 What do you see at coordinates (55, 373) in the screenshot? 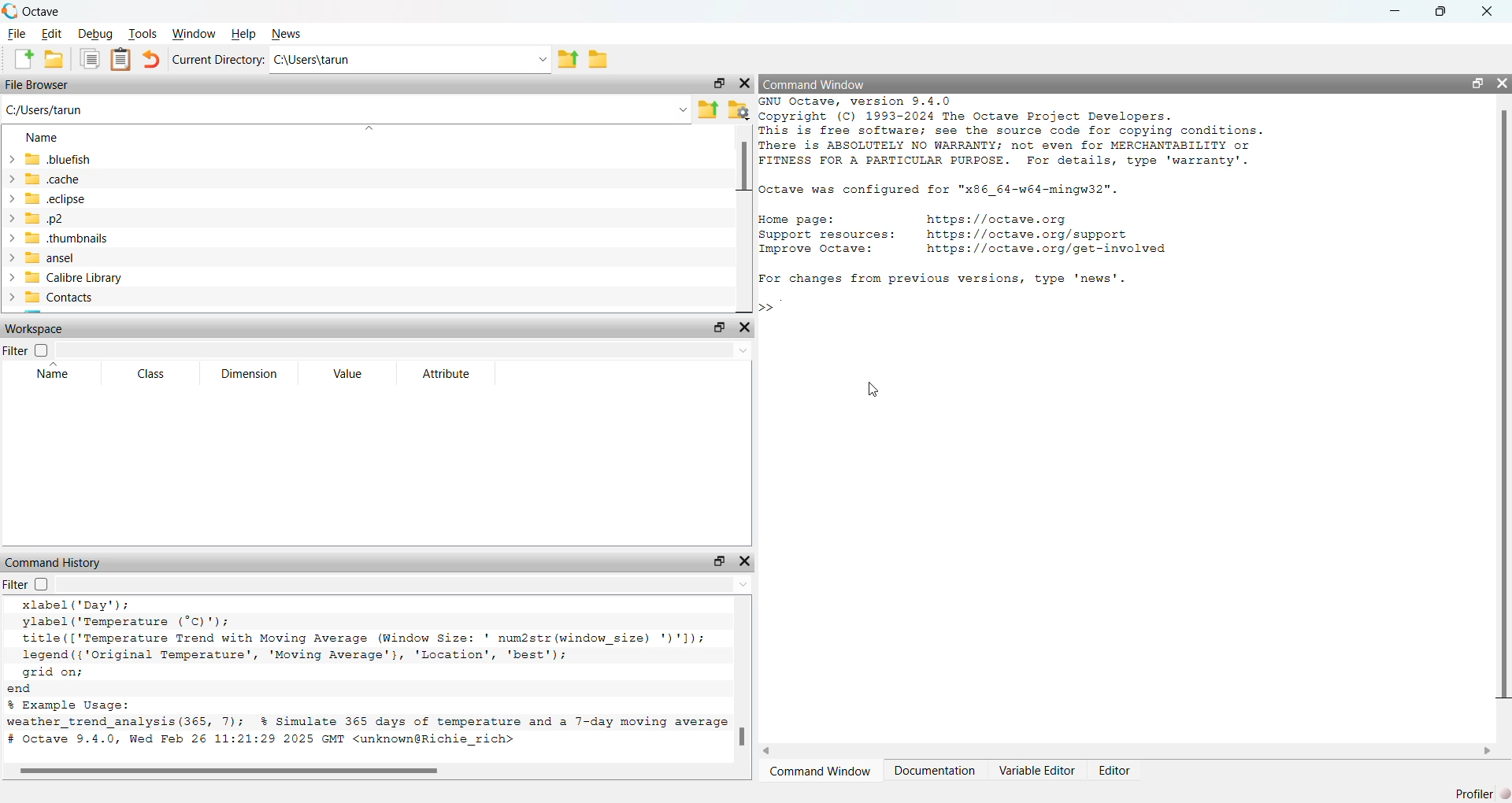
I see `Name` at bounding box center [55, 373].